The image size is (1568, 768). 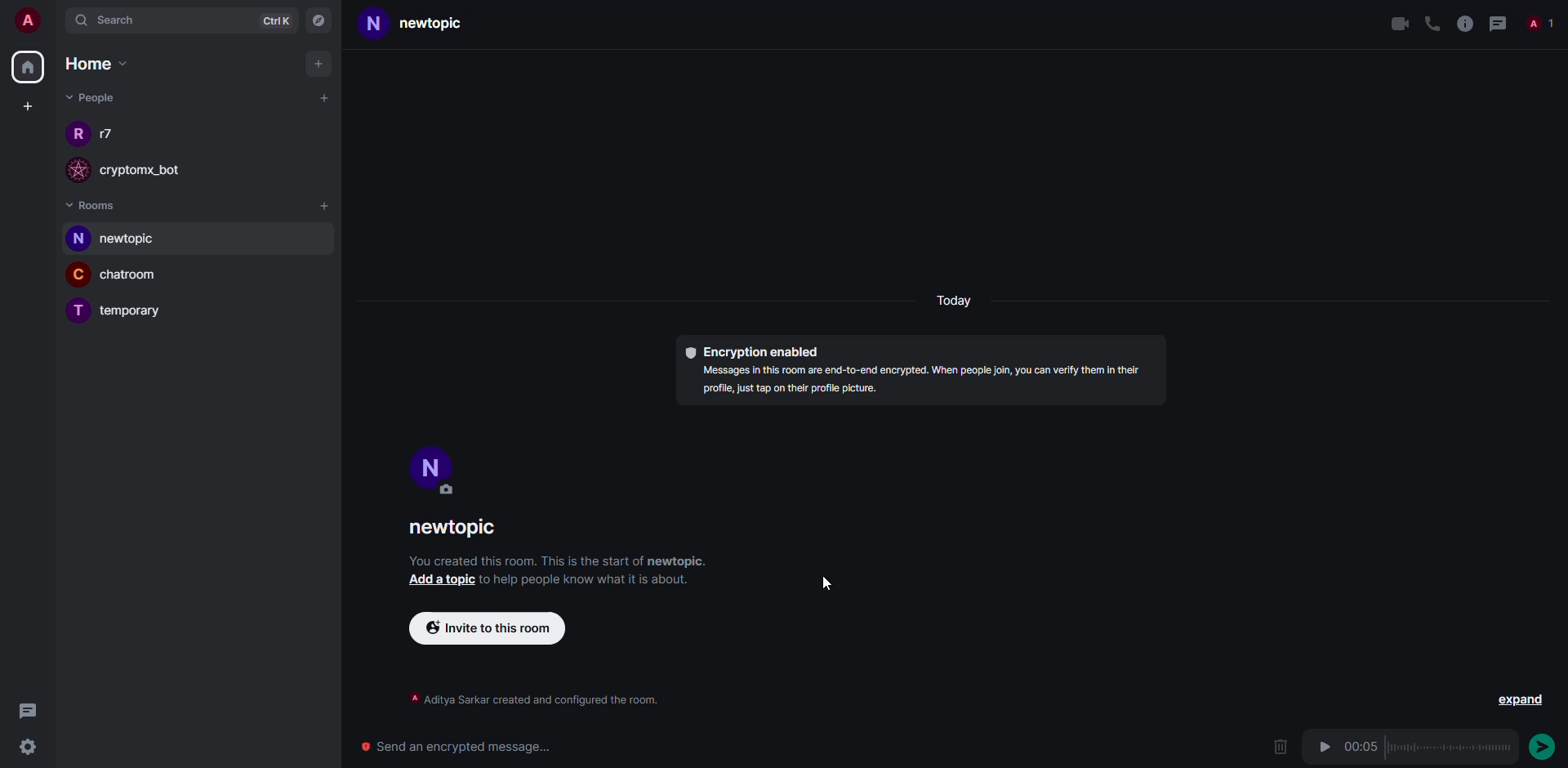 I want to click on people, so click(x=1540, y=23).